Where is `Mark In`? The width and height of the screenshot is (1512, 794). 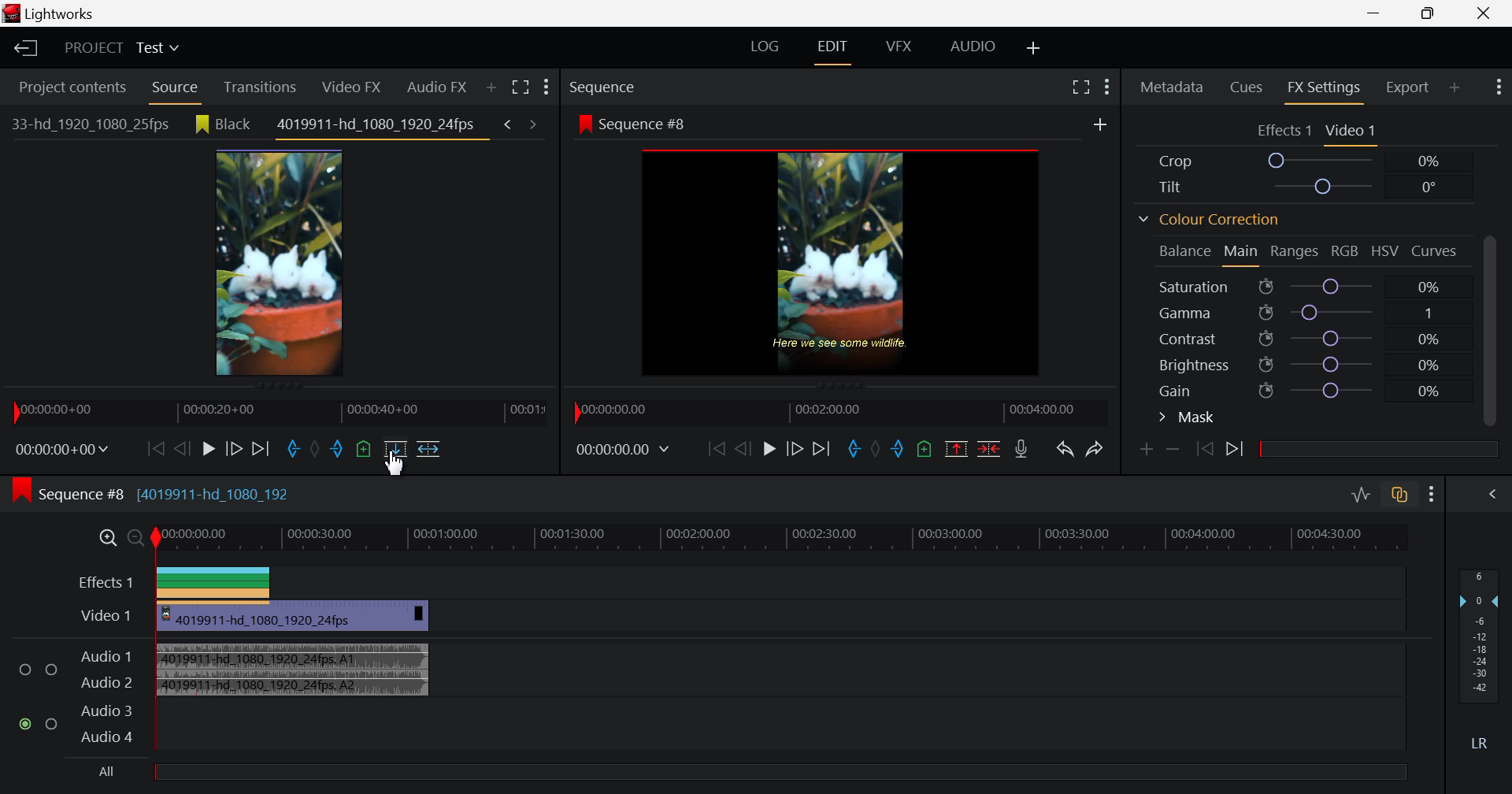
Mark In is located at coordinates (850, 445).